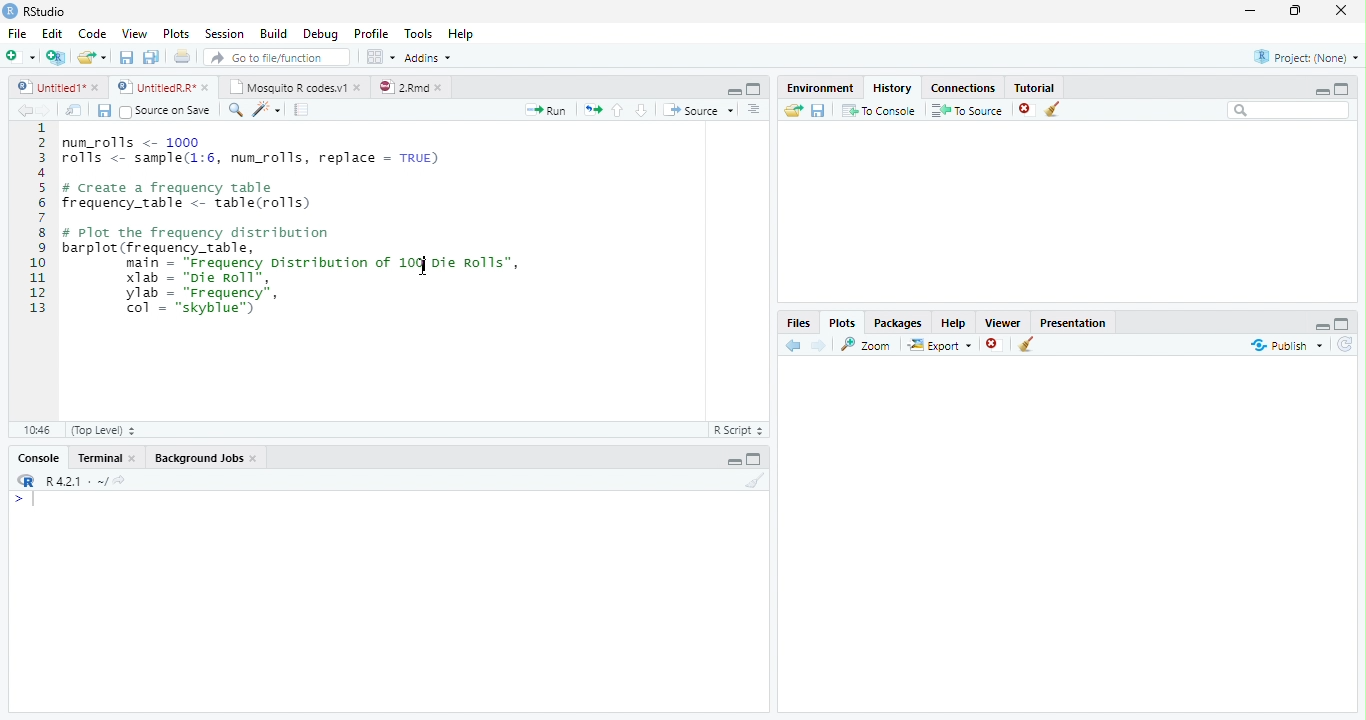 This screenshot has width=1366, height=720. I want to click on Connections., so click(963, 87).